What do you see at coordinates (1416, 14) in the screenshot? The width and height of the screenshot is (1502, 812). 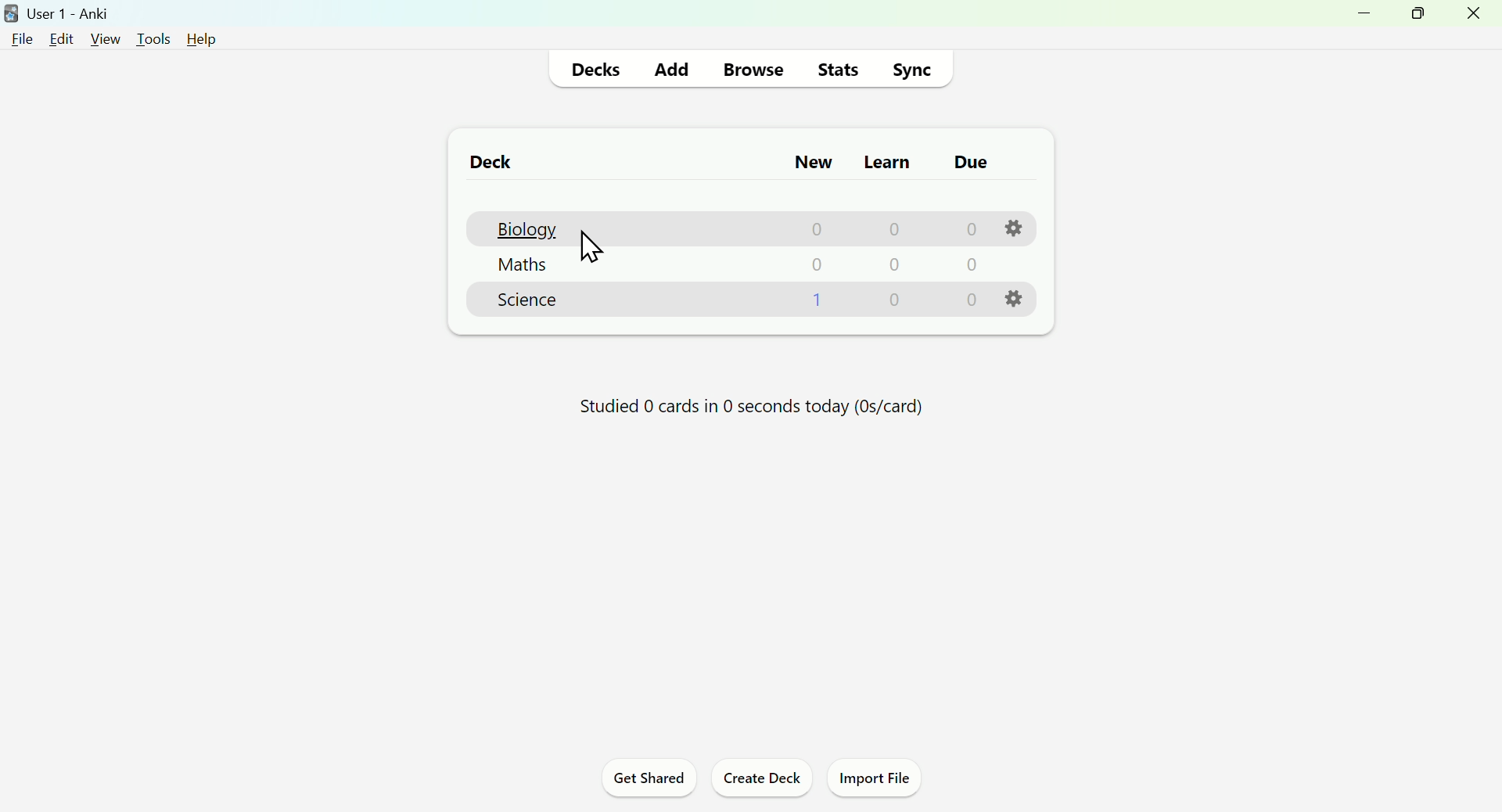 I see `maximize` at bounding box center [1416, 14].